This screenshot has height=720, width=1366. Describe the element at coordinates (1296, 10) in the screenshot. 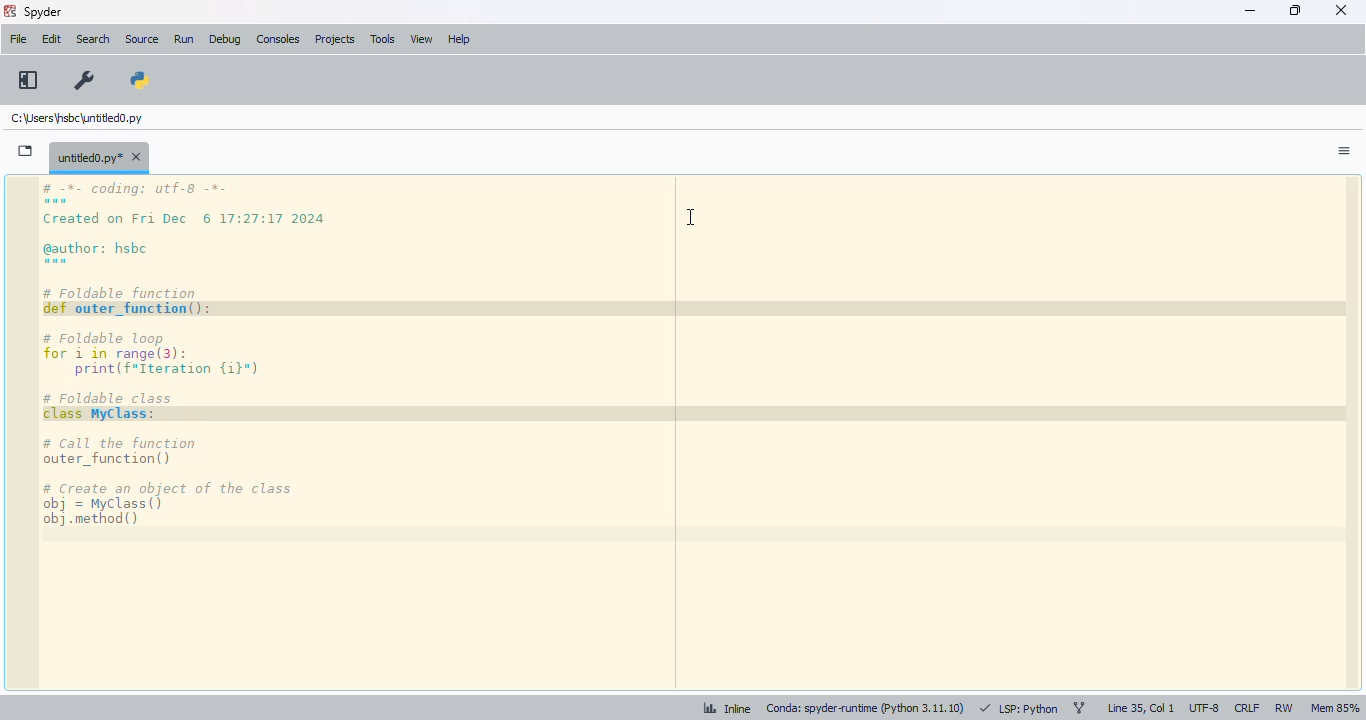

I see `maximize` at that location.